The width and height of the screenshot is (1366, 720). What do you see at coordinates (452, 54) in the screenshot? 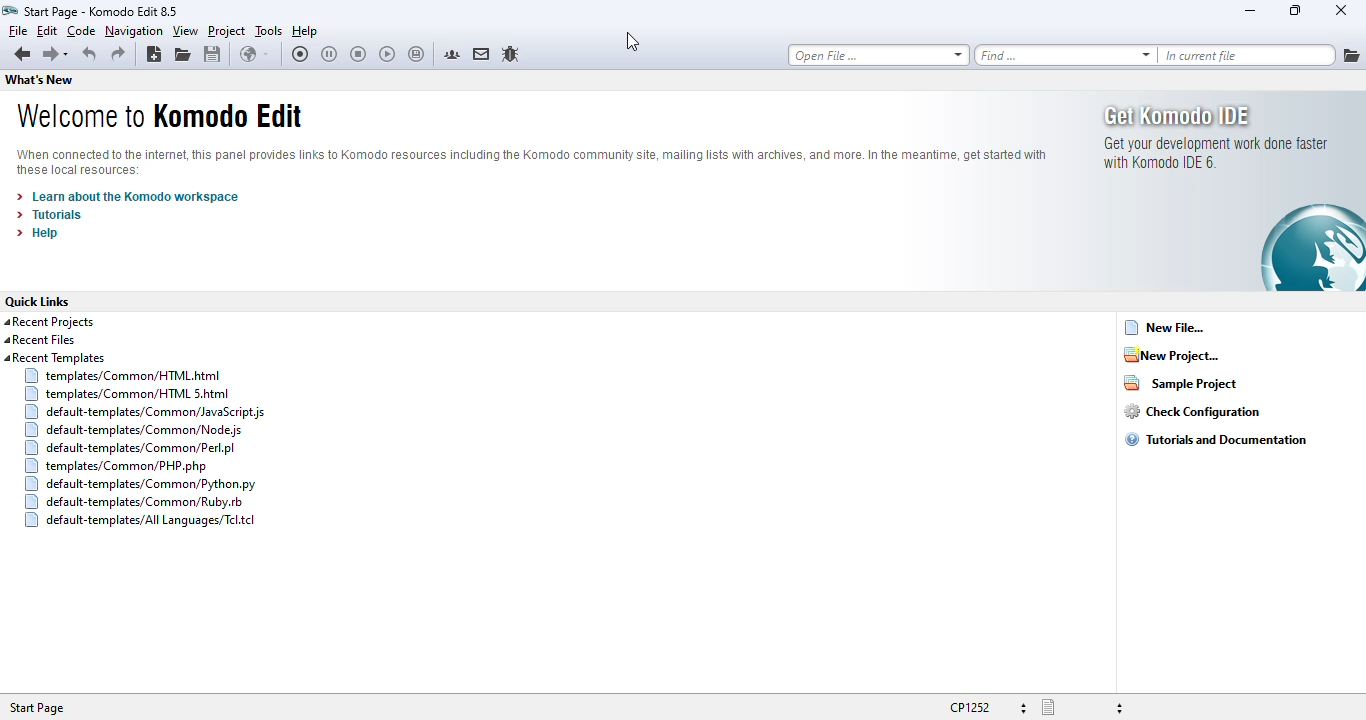
I see `komodo community` at bounding box center [452, 54].